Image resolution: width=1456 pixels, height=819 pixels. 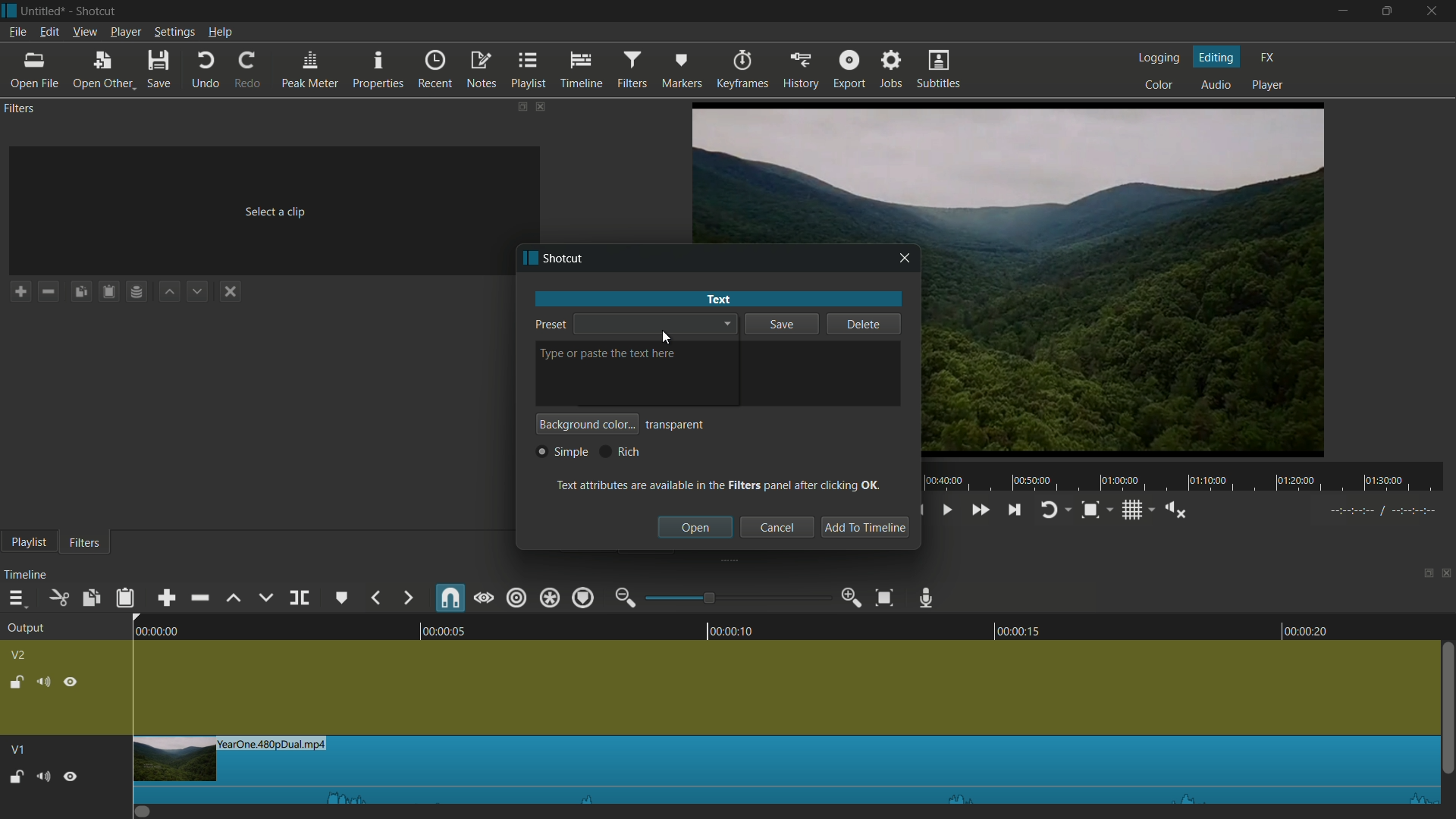 I want to click on lift, so click(x=234, y=597).